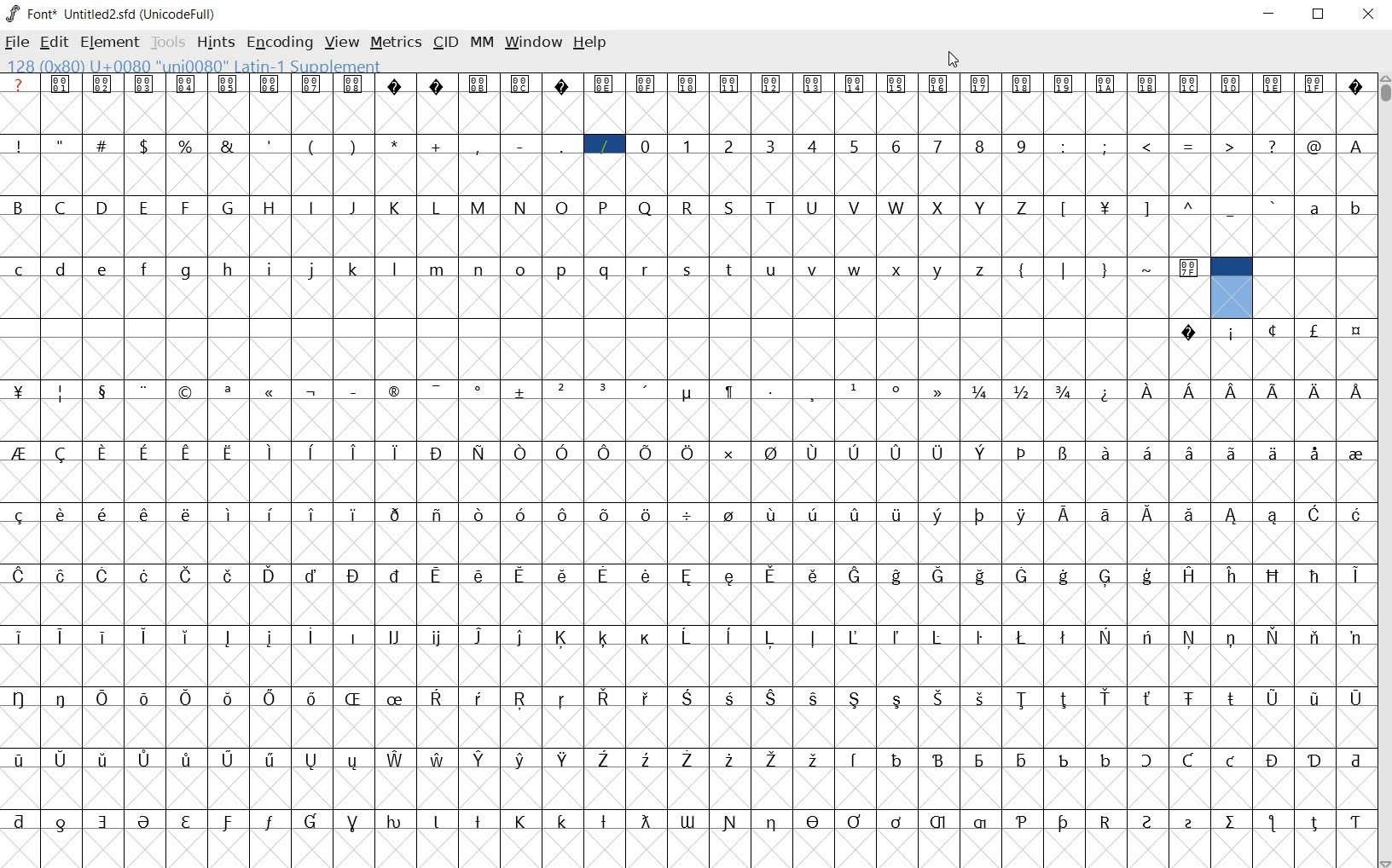 This screenshot has height=868, width=1392. I want to click on Symbol, so click(1024, 454).